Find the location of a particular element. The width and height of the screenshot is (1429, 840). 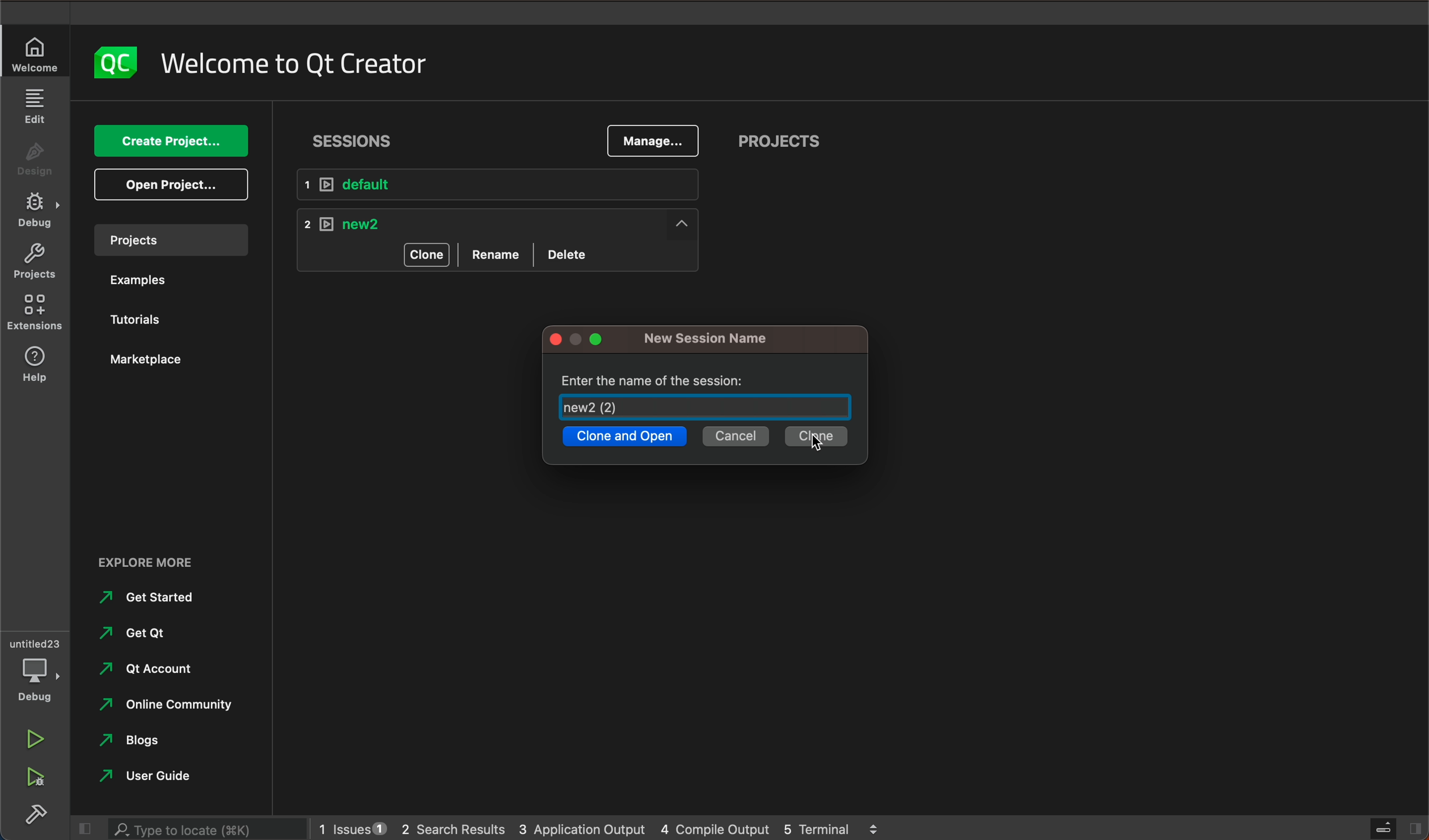

extensions is located at coordinates (34, 315).